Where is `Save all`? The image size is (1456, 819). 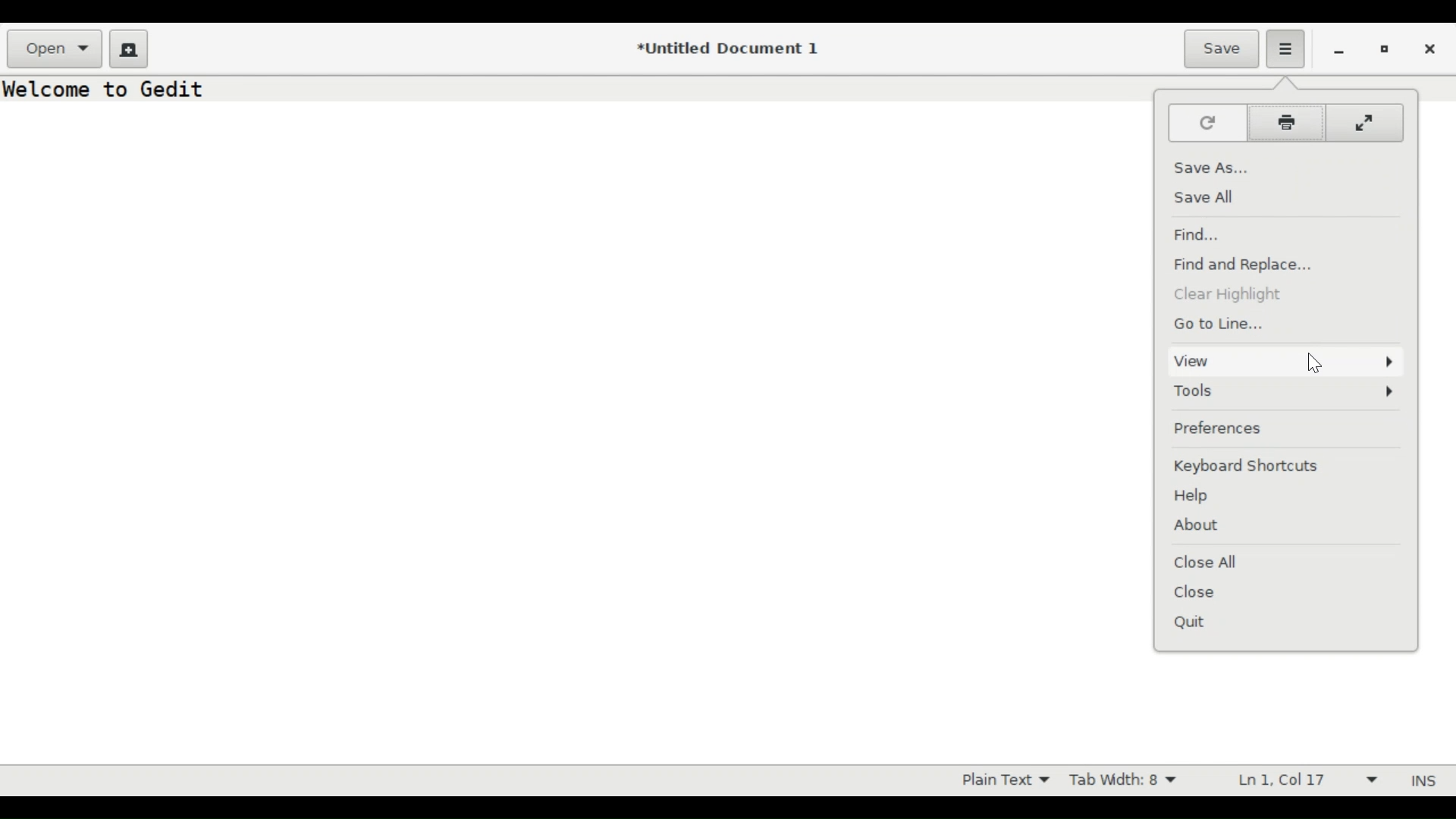
Save all is located at coordinates (1210, 197).